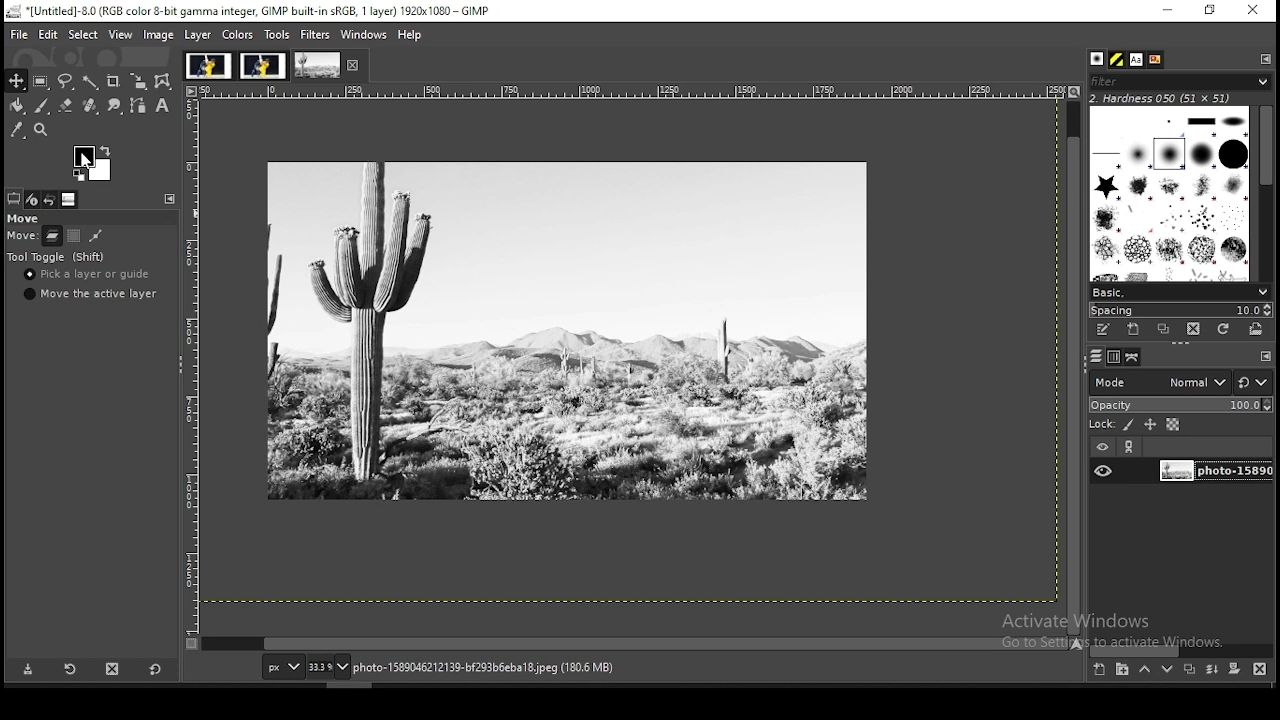 This screenshot has height=720, width=1280. What do you see at coordinates (504, 667) in the screenshot?
I see `` at bounding box center [504, 667].